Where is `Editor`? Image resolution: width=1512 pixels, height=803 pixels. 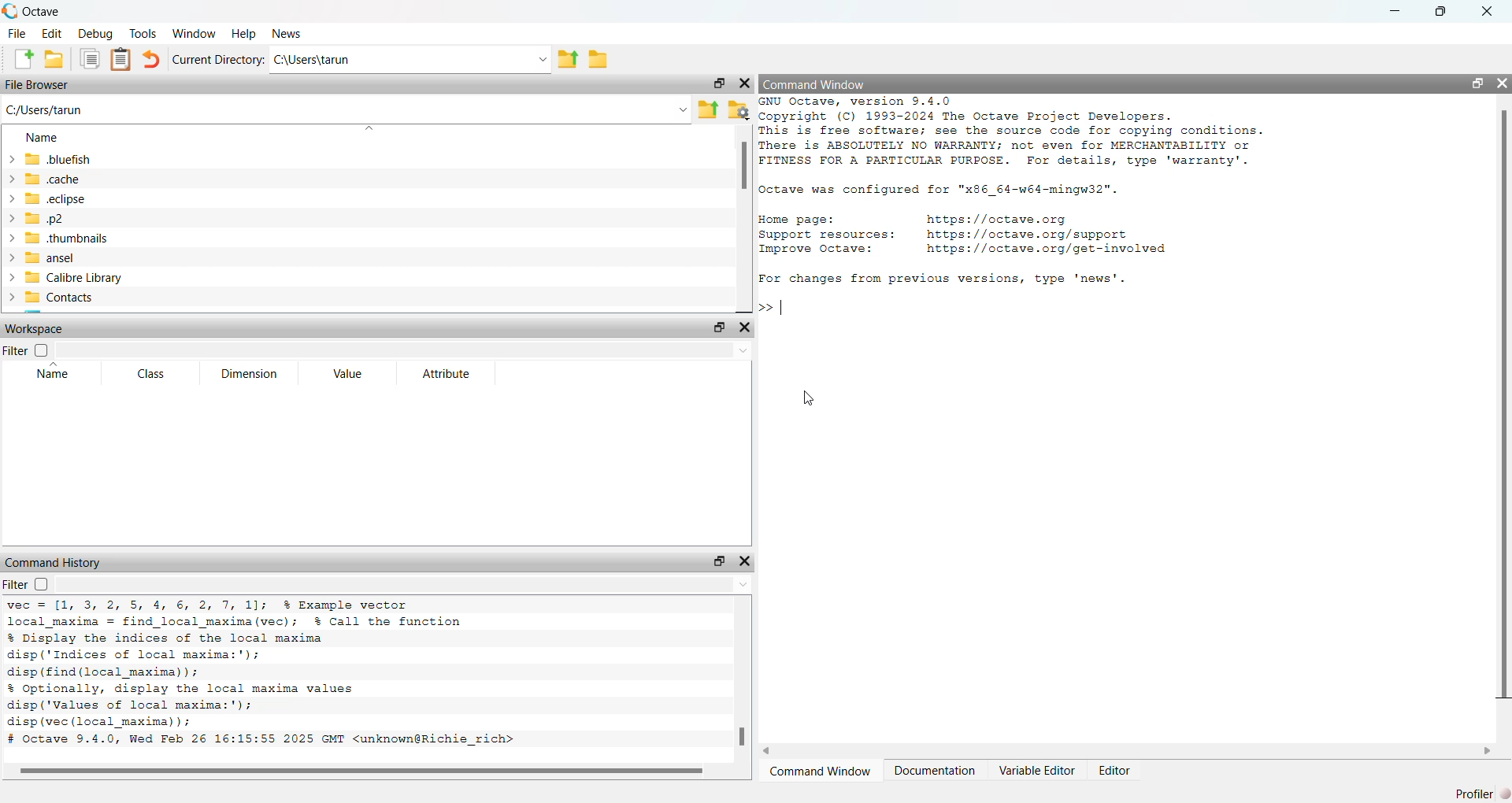
Editor is located at coordinates (1114, 769).